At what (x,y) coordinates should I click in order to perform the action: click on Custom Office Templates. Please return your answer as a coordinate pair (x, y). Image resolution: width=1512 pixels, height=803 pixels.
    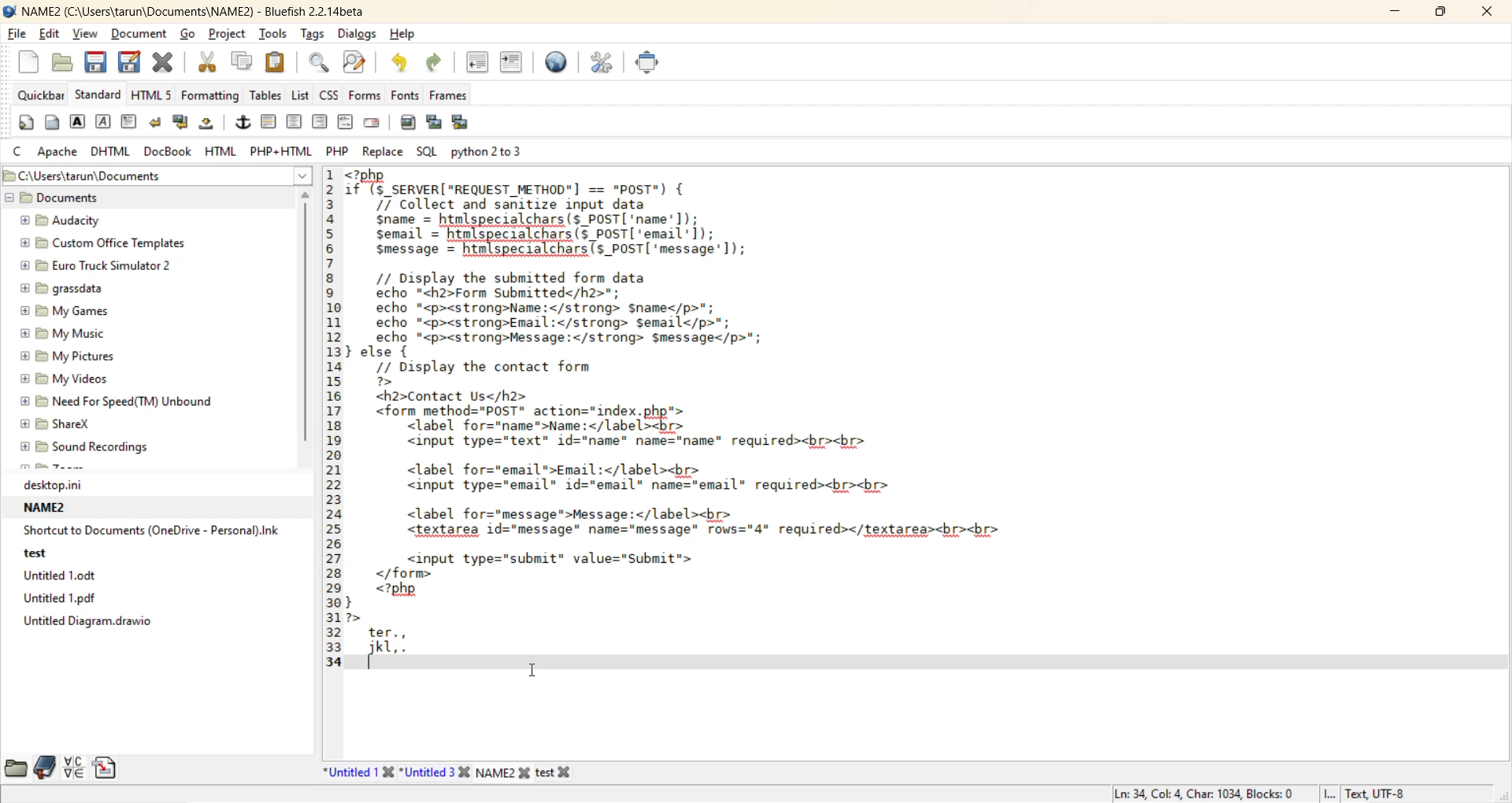
    Looking at the image, I should click on (106, 242).